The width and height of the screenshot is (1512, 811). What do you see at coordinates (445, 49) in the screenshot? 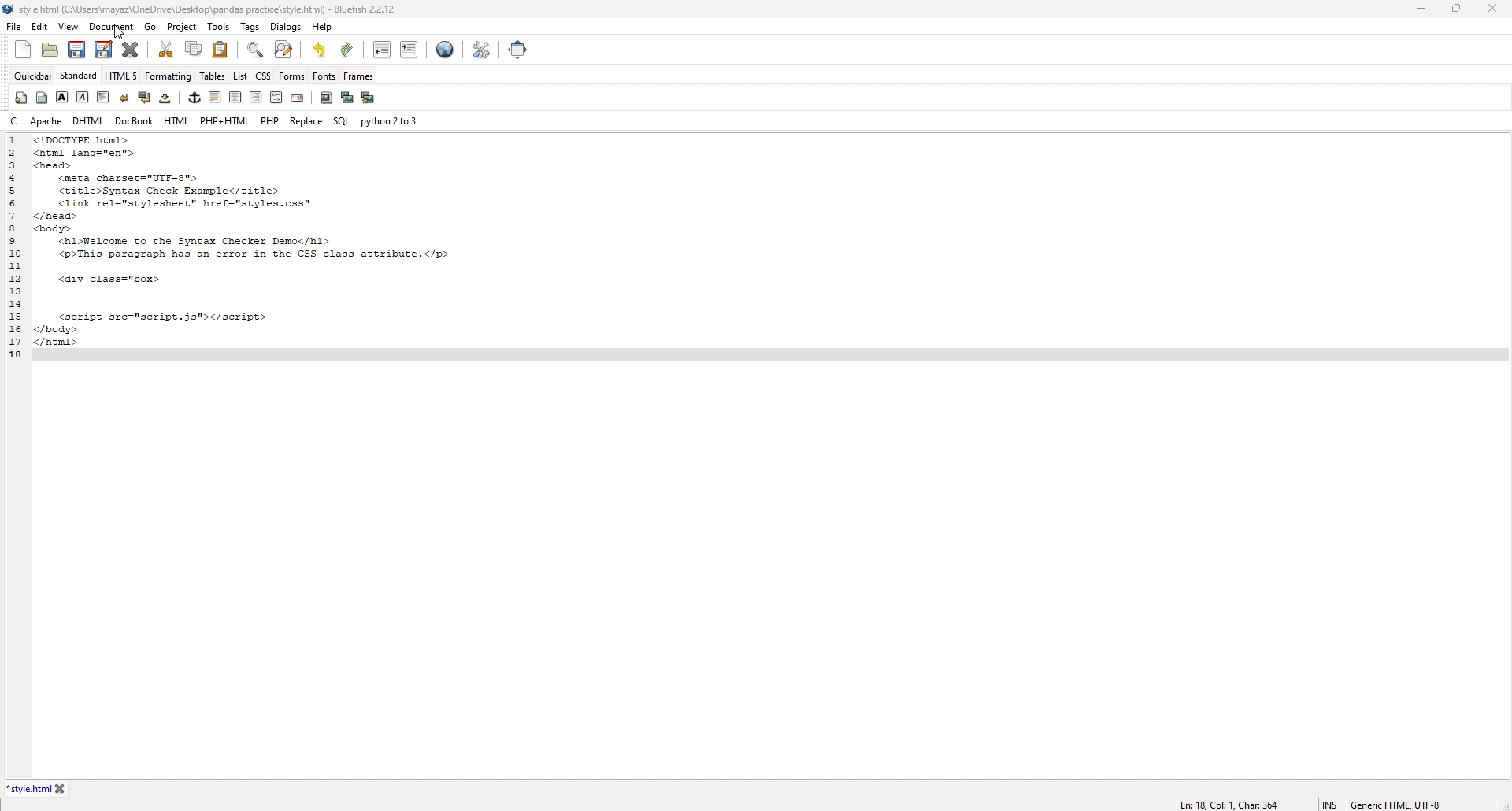
I see `web preview` at bounding box center [445, 49].